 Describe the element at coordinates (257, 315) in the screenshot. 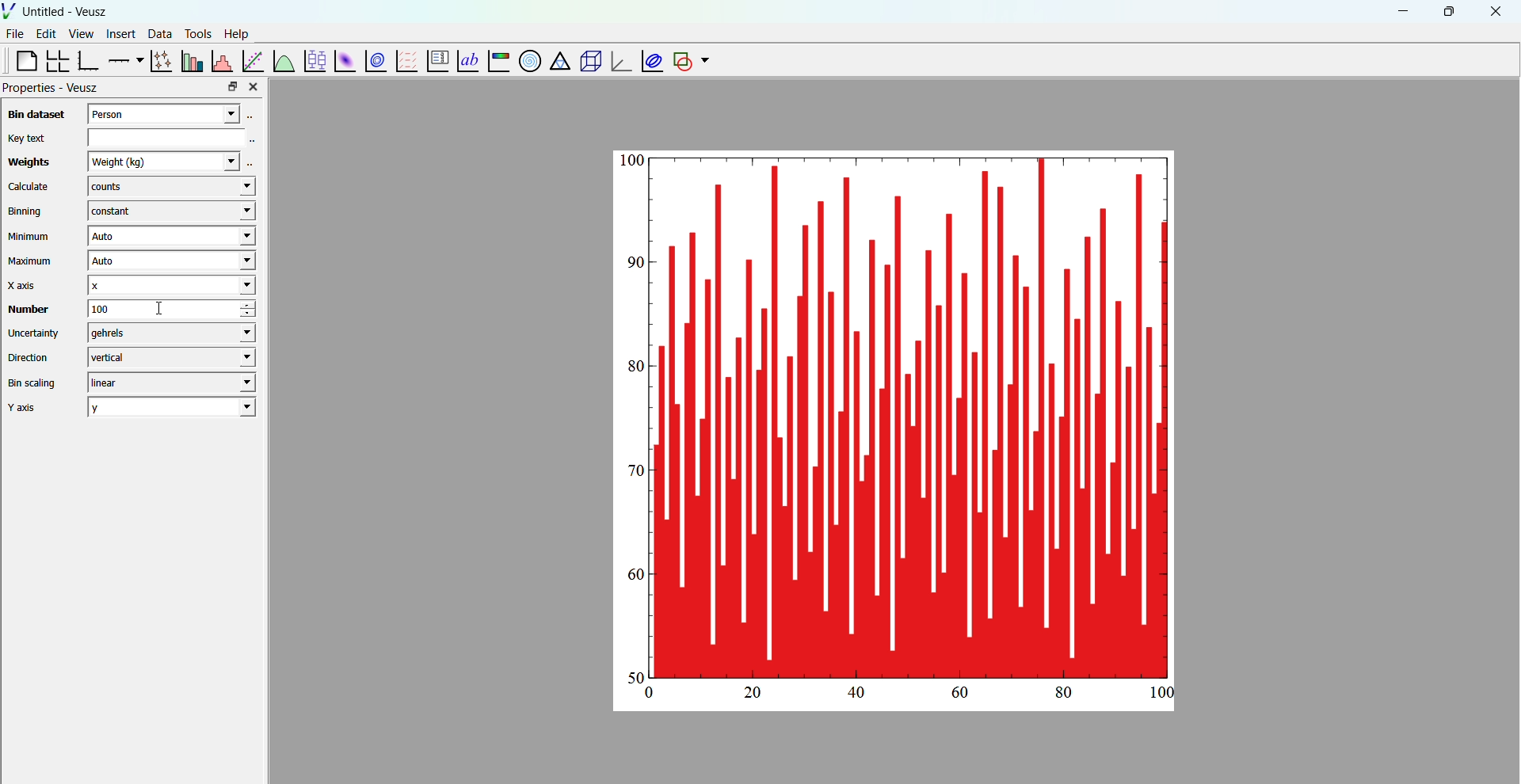

I see `decrease number` at that location.